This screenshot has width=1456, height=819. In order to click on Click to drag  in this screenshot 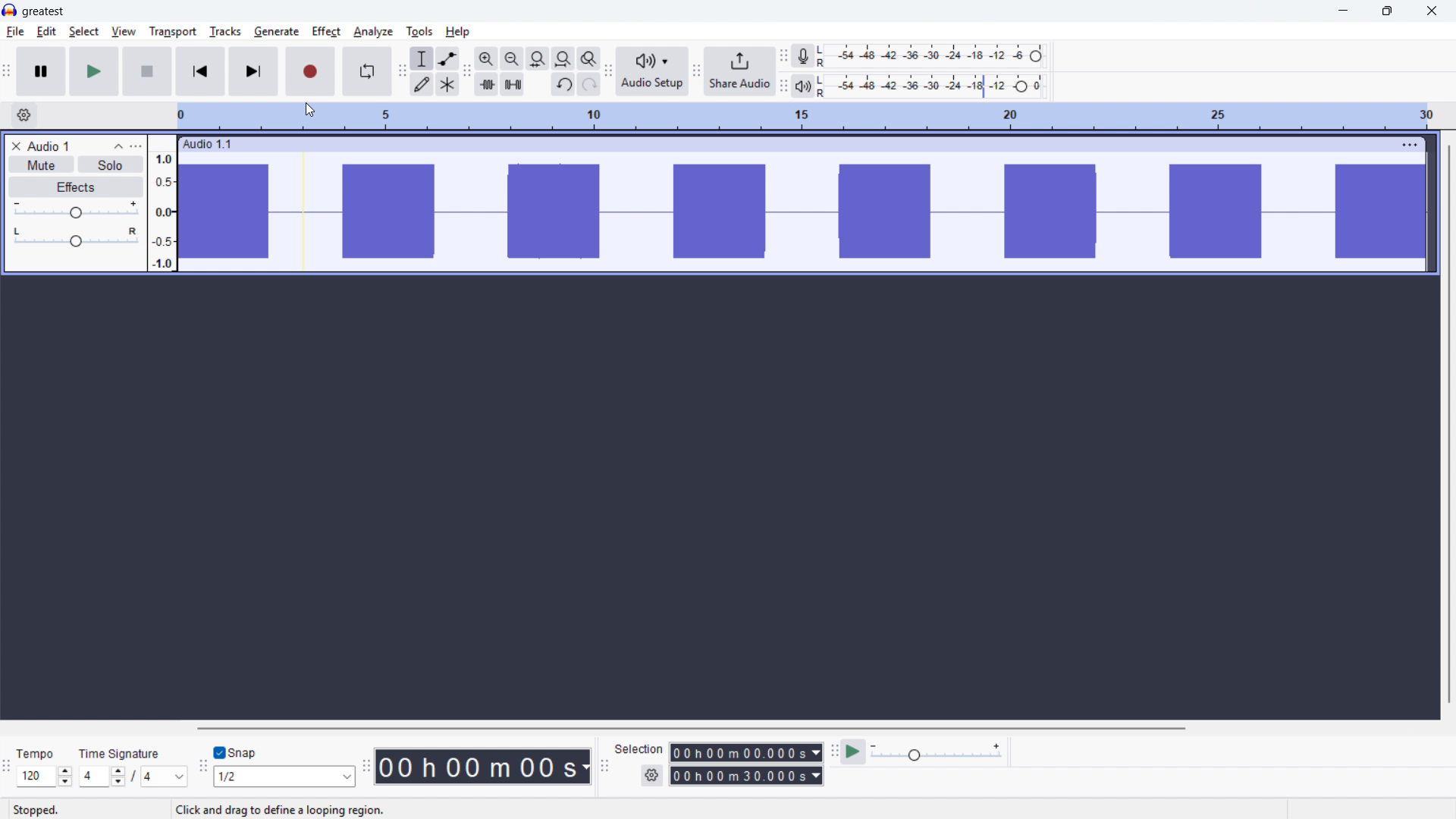, I will do `click(828, 144)`.